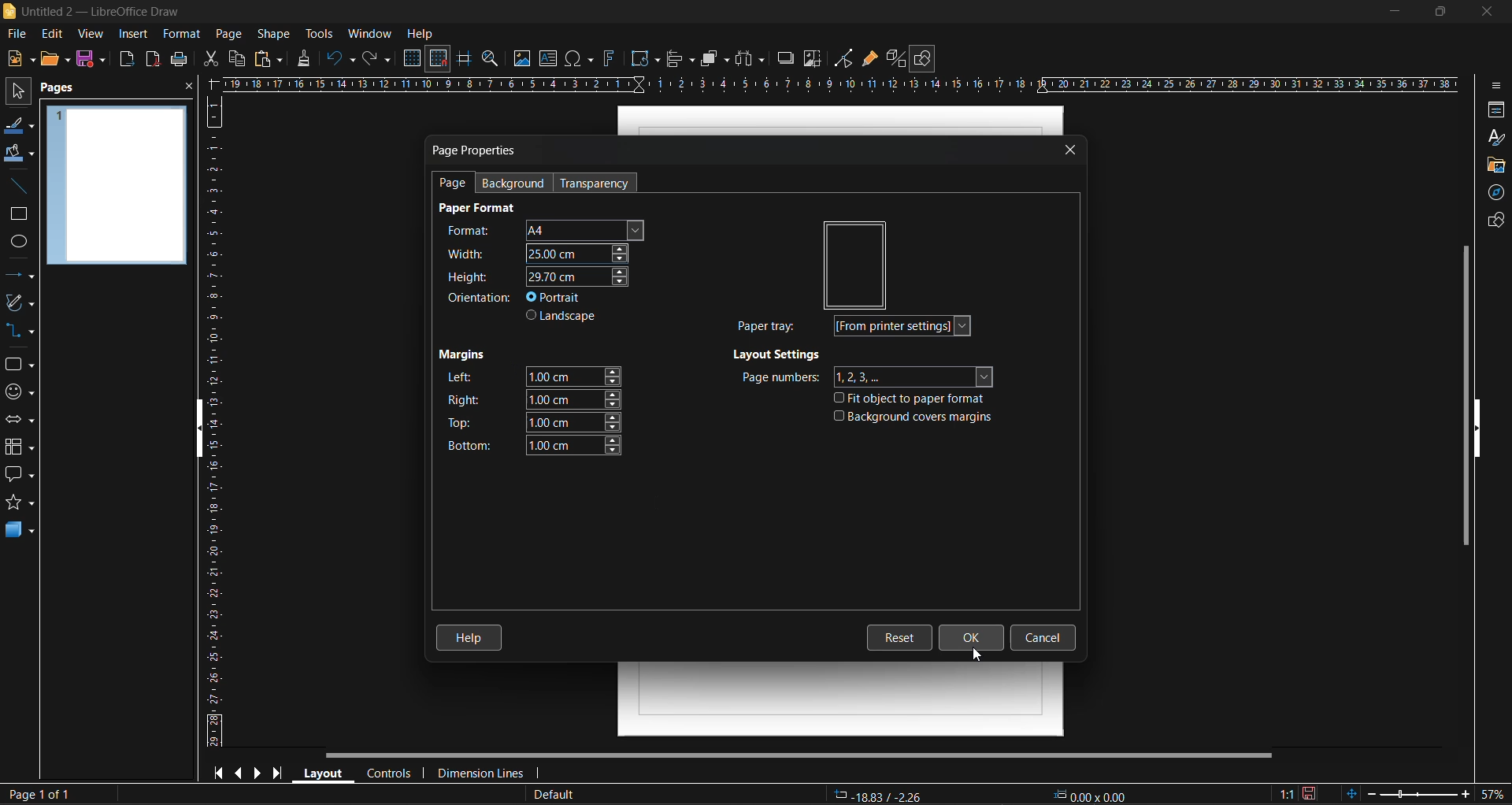  What do you see at coordinates (421, 33) in the screenshot?
I see `help` at bounding box center [421, 33].